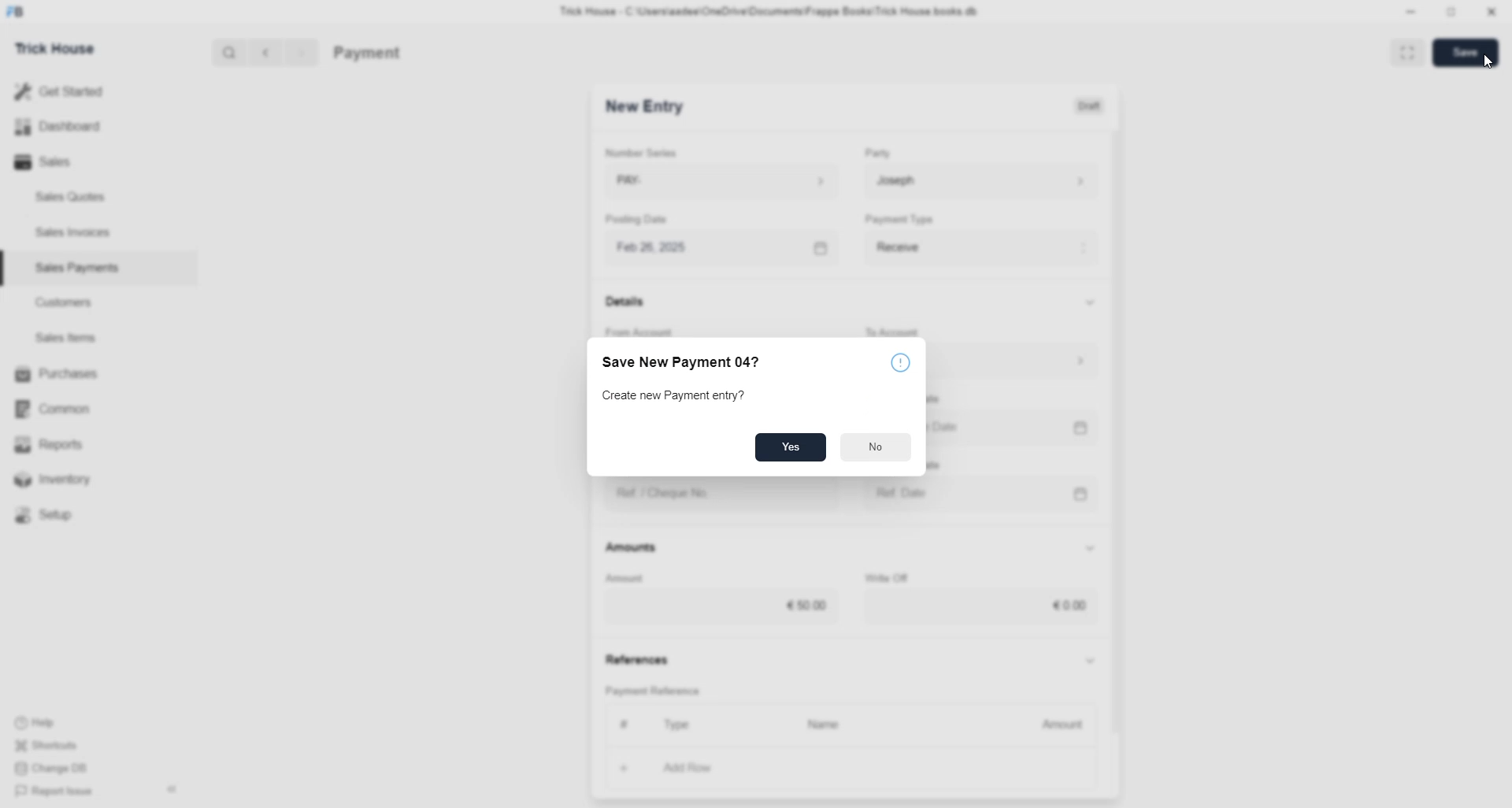 Image resolution: width=1512 pixels, height=808 pixels. What do you see at coordinates (724, 180) in the screenshot?
I see `PAY` at bounding box center [724, 180].